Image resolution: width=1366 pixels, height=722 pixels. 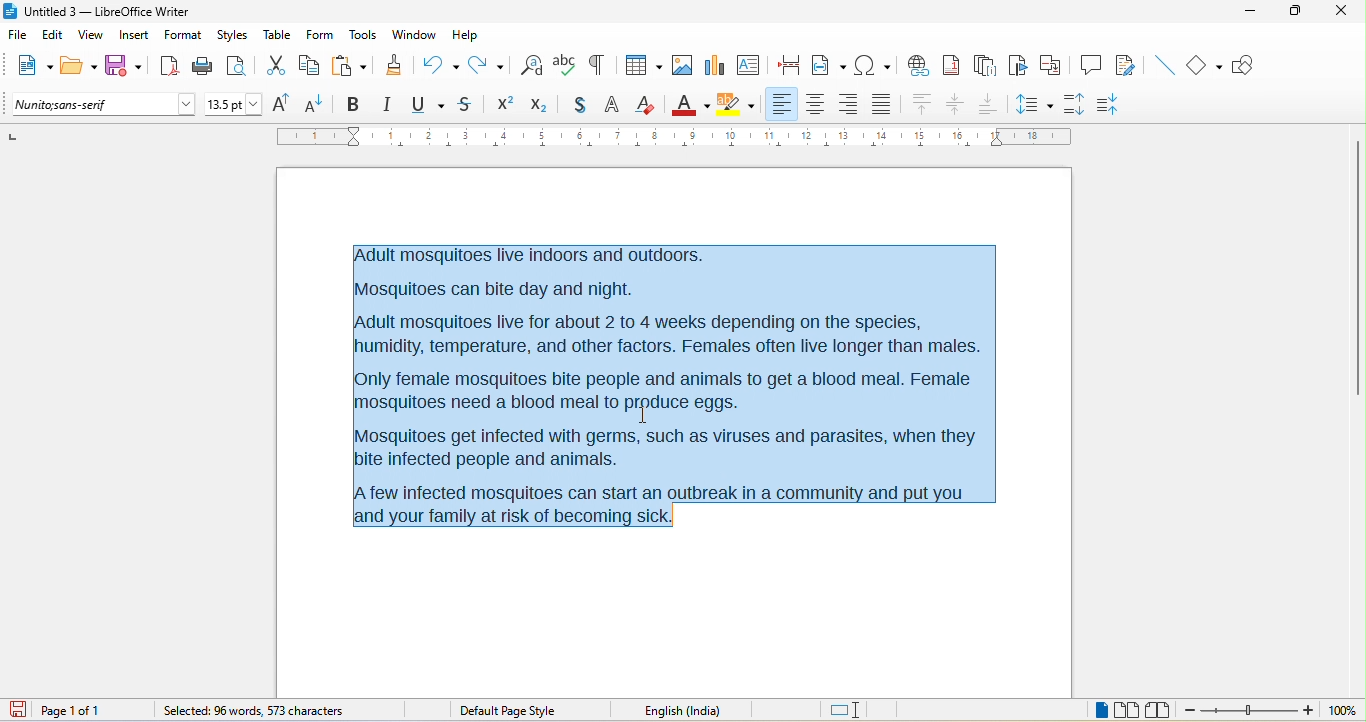 I want to click on print preview, so click(x=241, y=64).